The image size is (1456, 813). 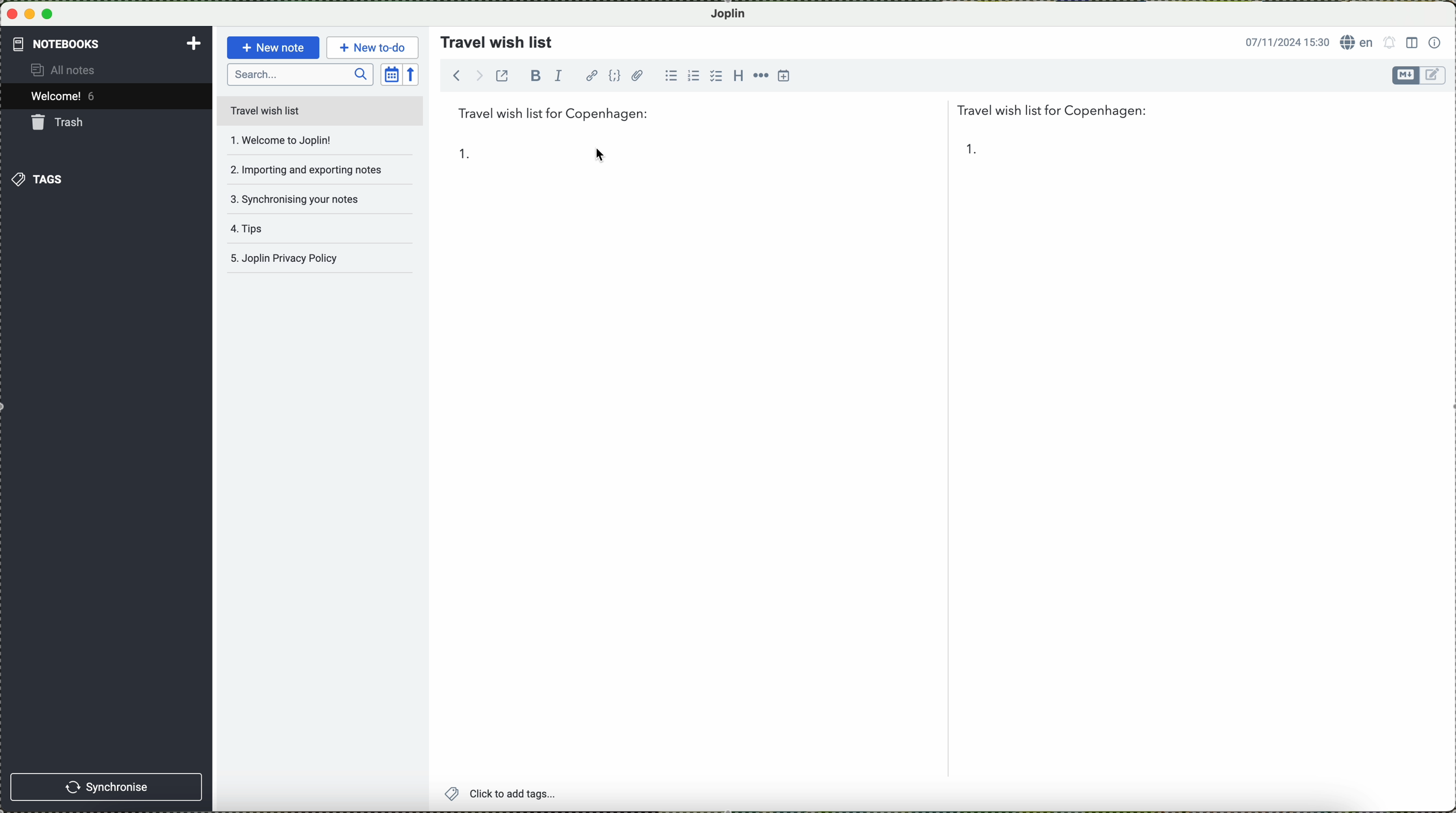 What do you see at coordinates (530, 794) in the screenshot?
I see `click to add tags` at bounding box center [530, 794].